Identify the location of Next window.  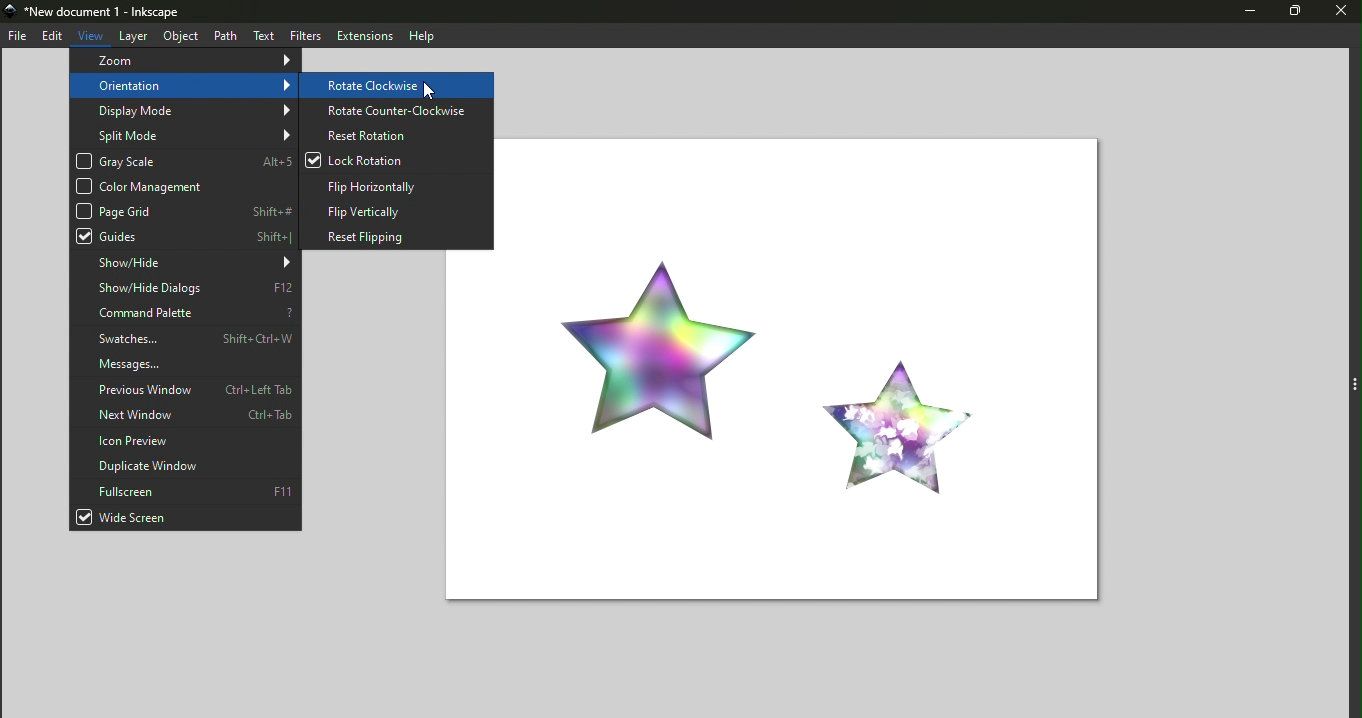
(185, 416).